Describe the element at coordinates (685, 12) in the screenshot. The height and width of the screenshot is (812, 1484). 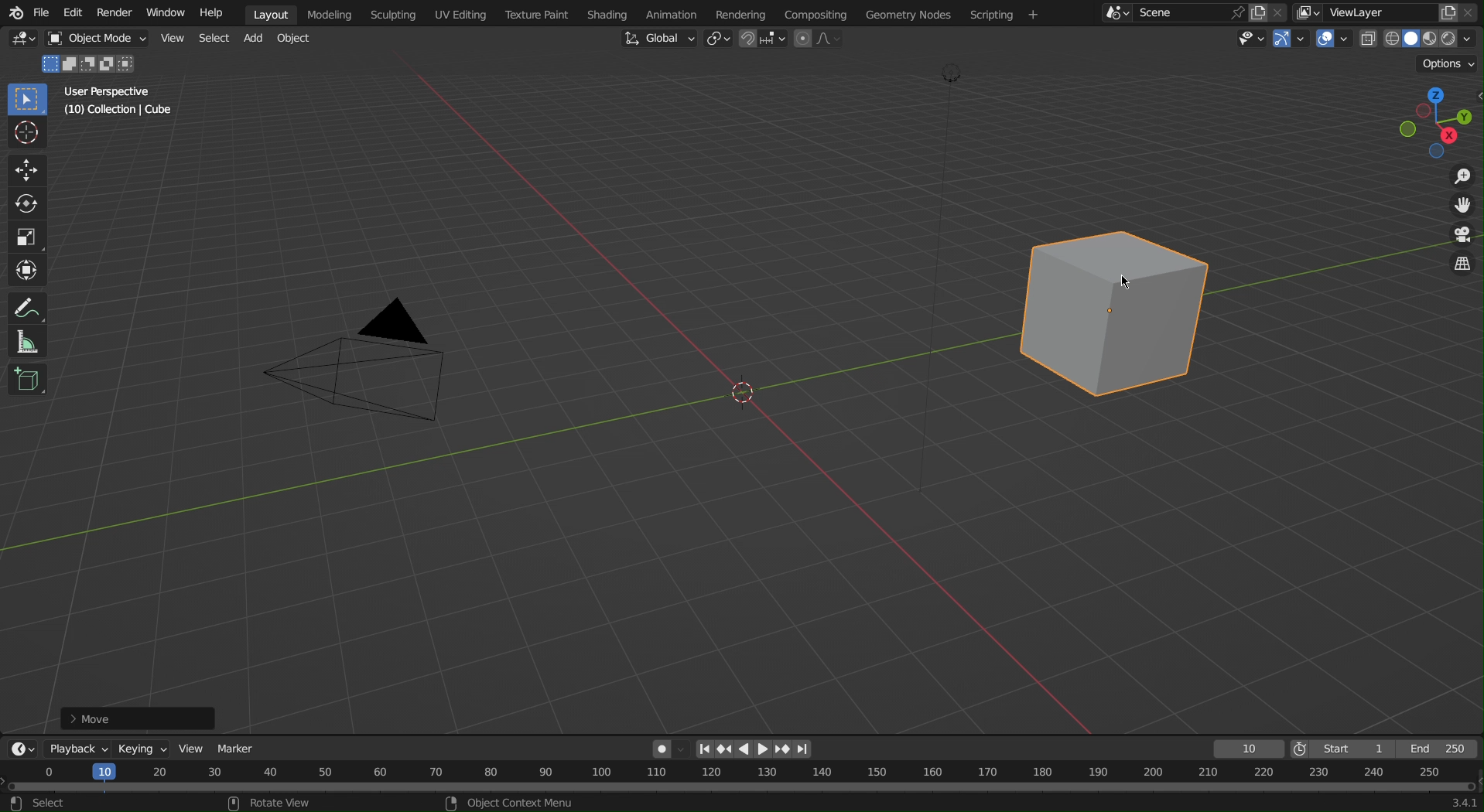
I see `Animation` at that location.